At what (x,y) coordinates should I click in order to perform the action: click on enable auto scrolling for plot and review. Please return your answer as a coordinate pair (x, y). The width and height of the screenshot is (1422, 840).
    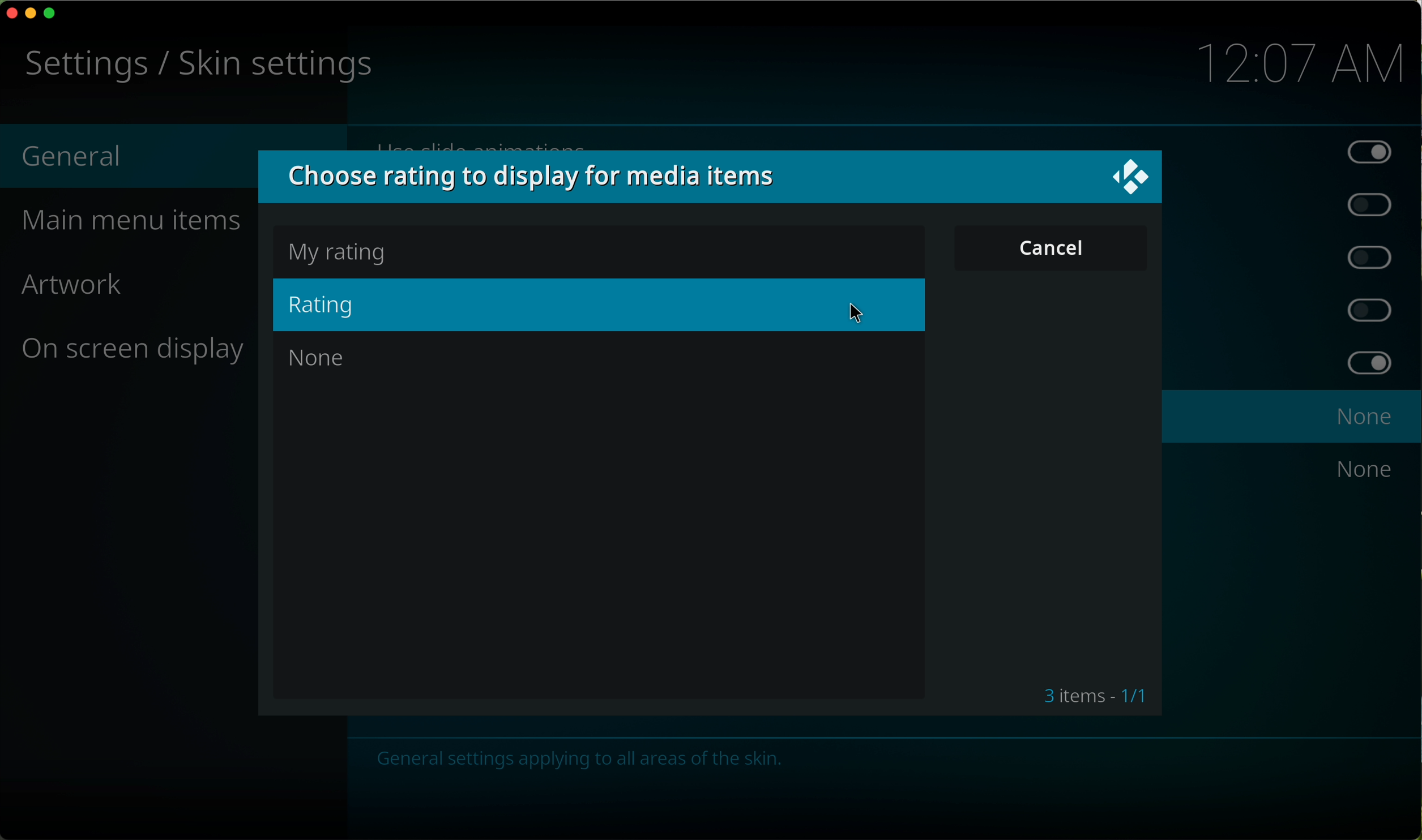
    Looking at the image, I should click on (1360, 203).